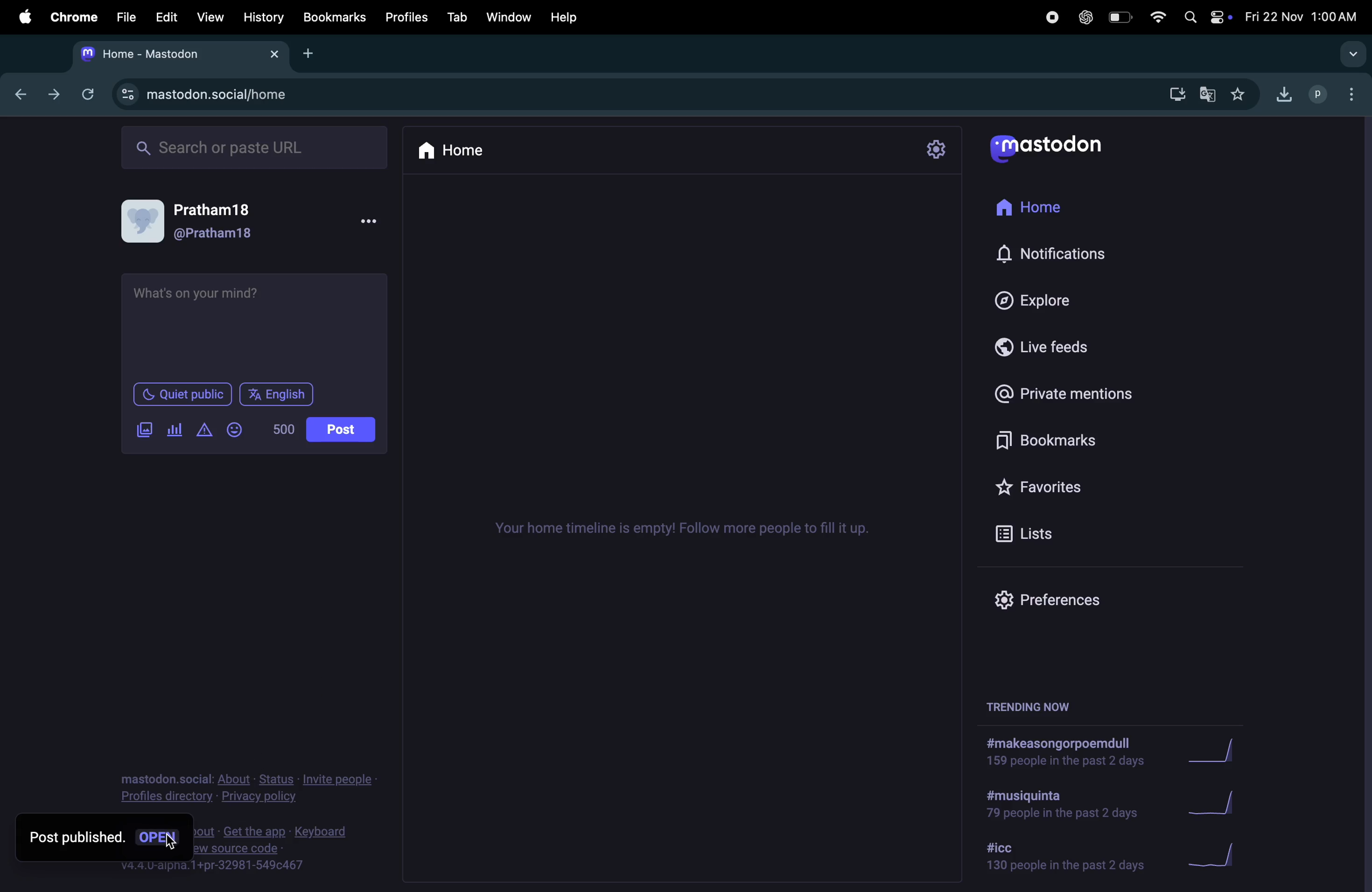 The image size is (1372, 892). What do you see at coordinates (263, 18) in the screenshot?
I see `history` at bounding box center [263, 18].